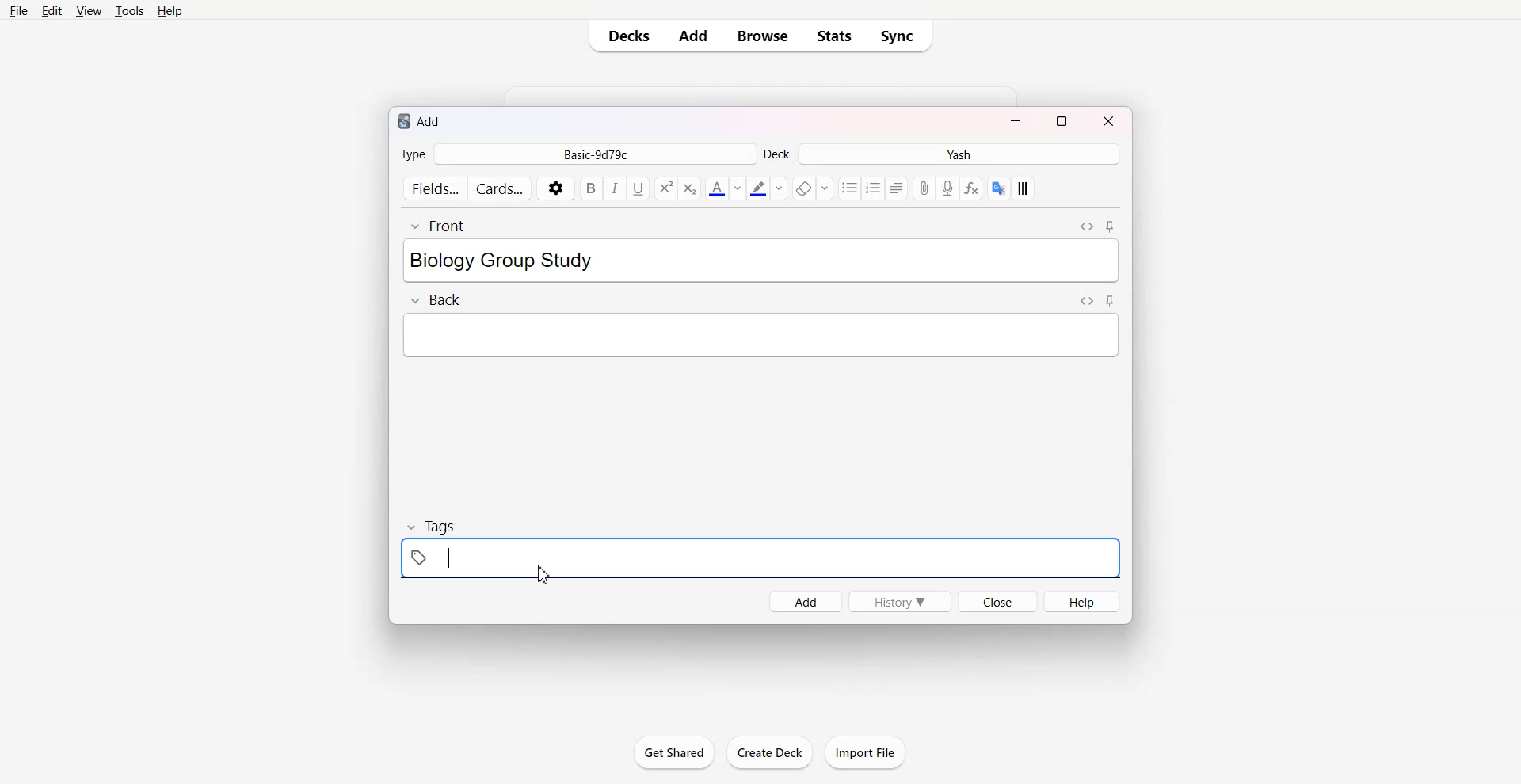 The image size is (1521, 784). Describe the element at coordinates (902, 36) in the screenshot. I see `Sync` at that location.